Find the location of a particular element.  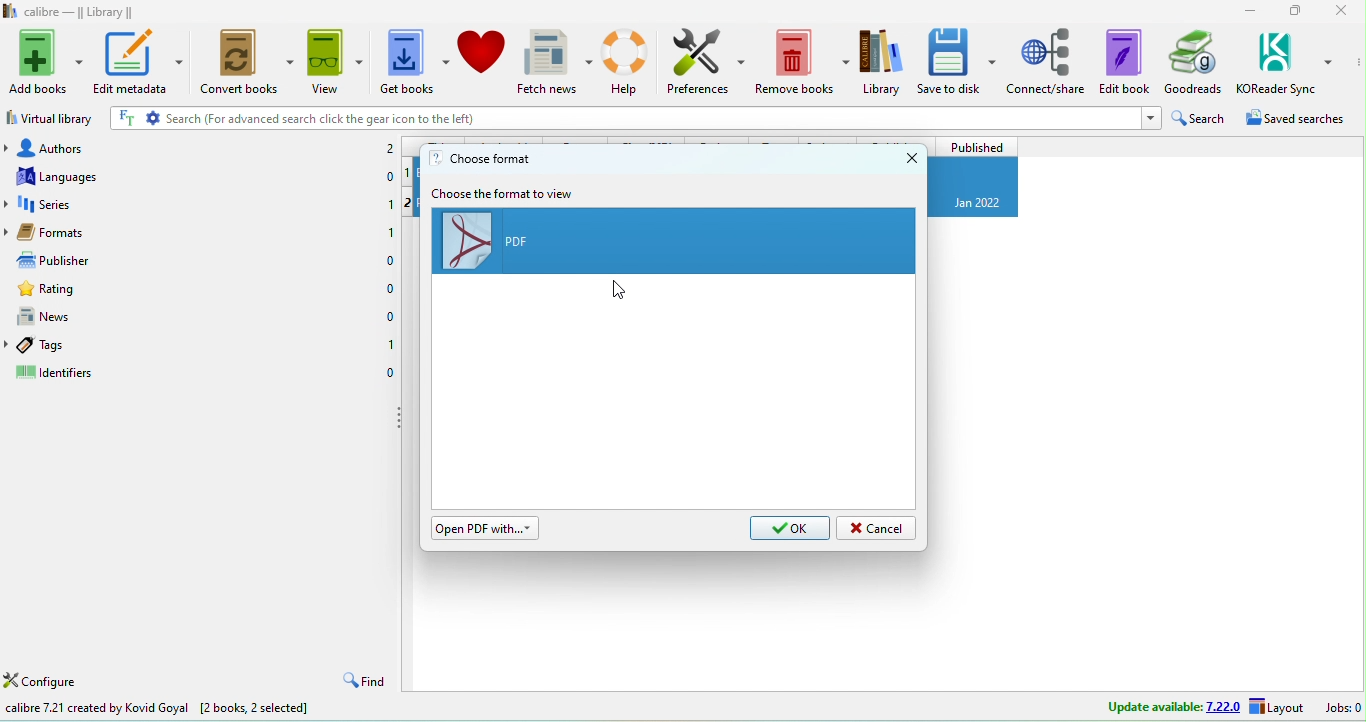

Library is located at coordinates (882, 61).